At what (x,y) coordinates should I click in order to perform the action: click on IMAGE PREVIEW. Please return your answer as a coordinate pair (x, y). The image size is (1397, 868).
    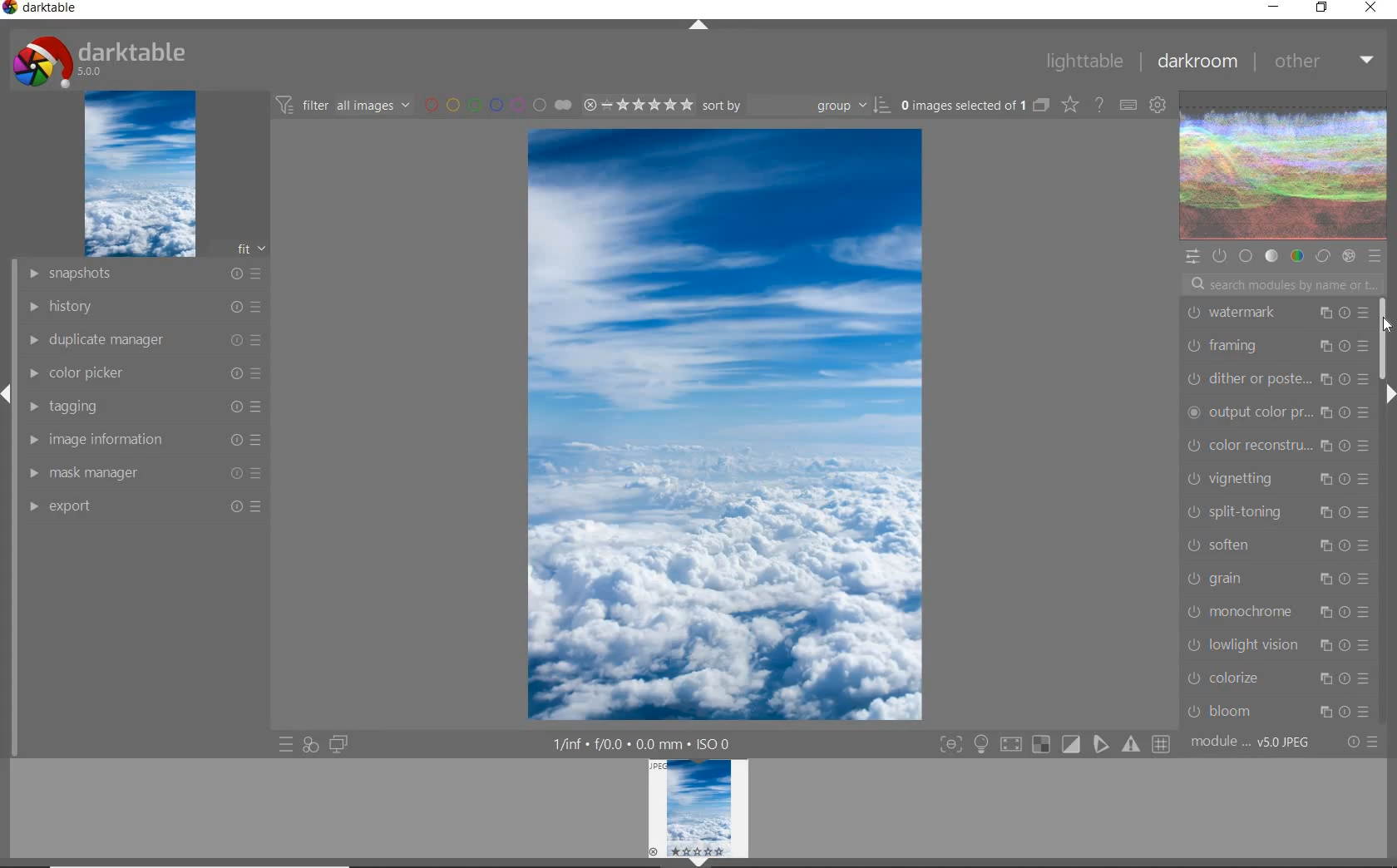
    Looking at the image, I should click on (698, 807).